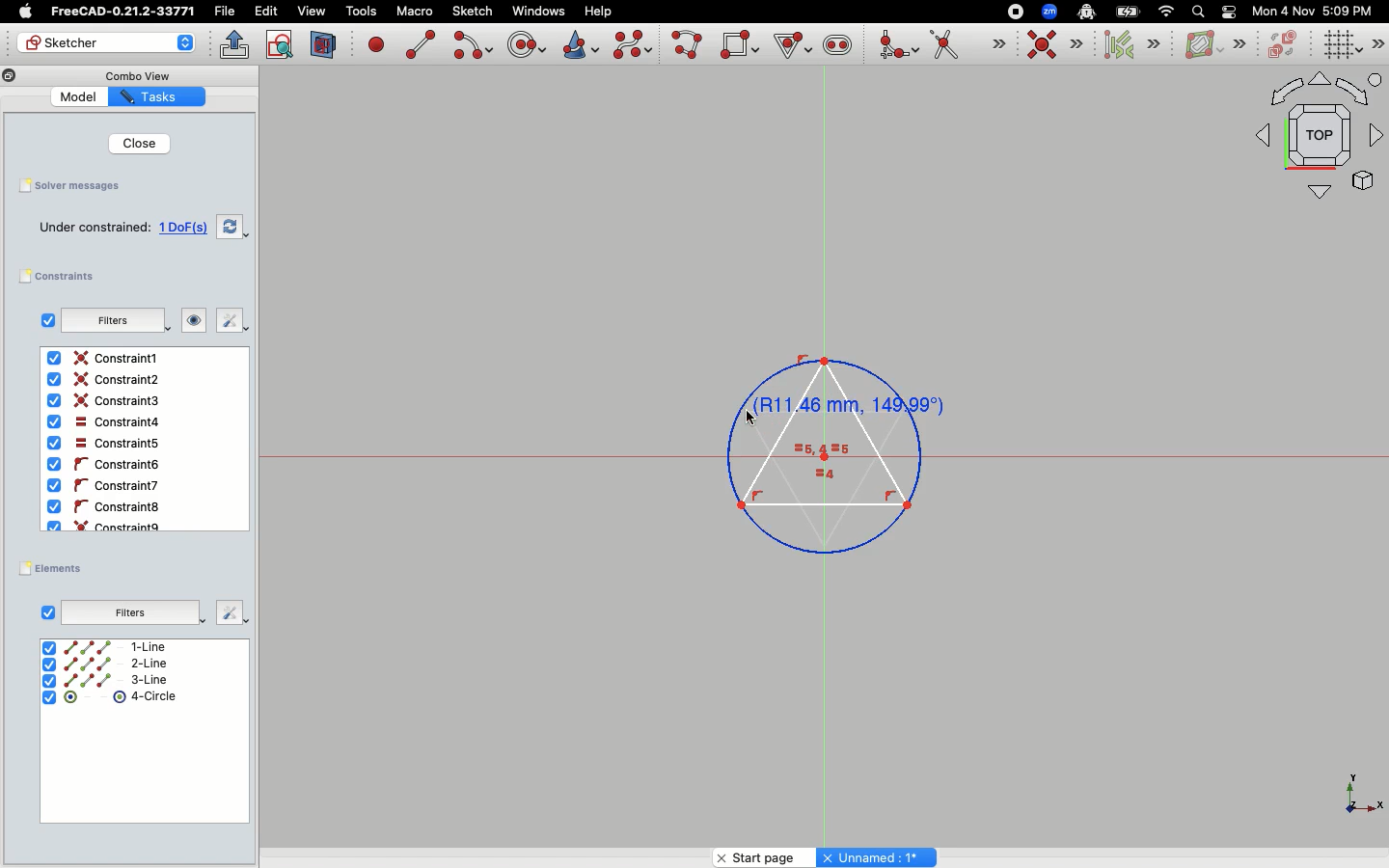 The height and width of the screenshot is (868, 1389). Describe the element at coordinates (135, 143) in the screenshot. I see `Close` at that location.